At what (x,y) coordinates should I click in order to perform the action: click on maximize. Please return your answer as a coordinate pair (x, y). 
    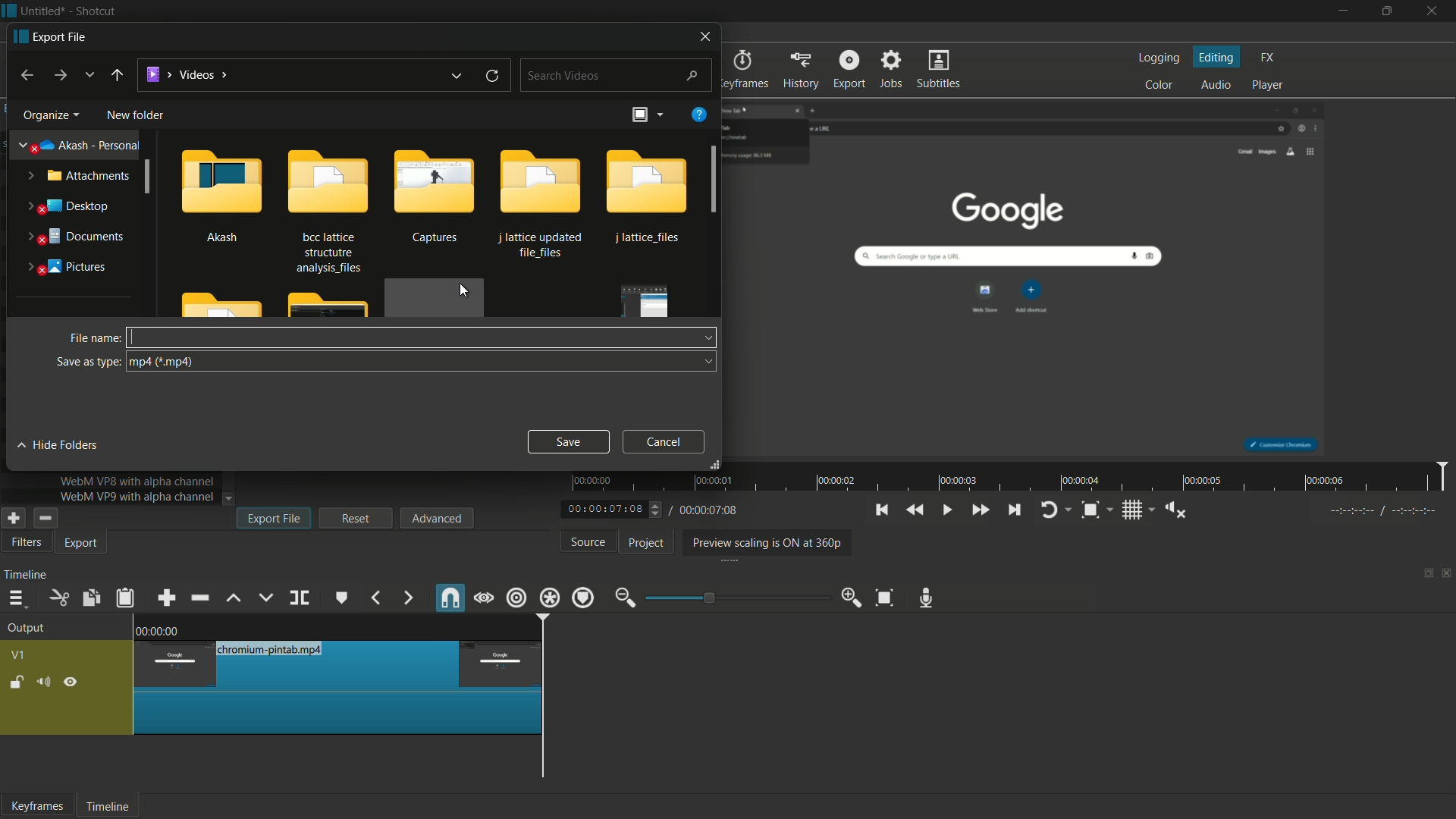
    Looking at the image, I should click on (1387, 11).